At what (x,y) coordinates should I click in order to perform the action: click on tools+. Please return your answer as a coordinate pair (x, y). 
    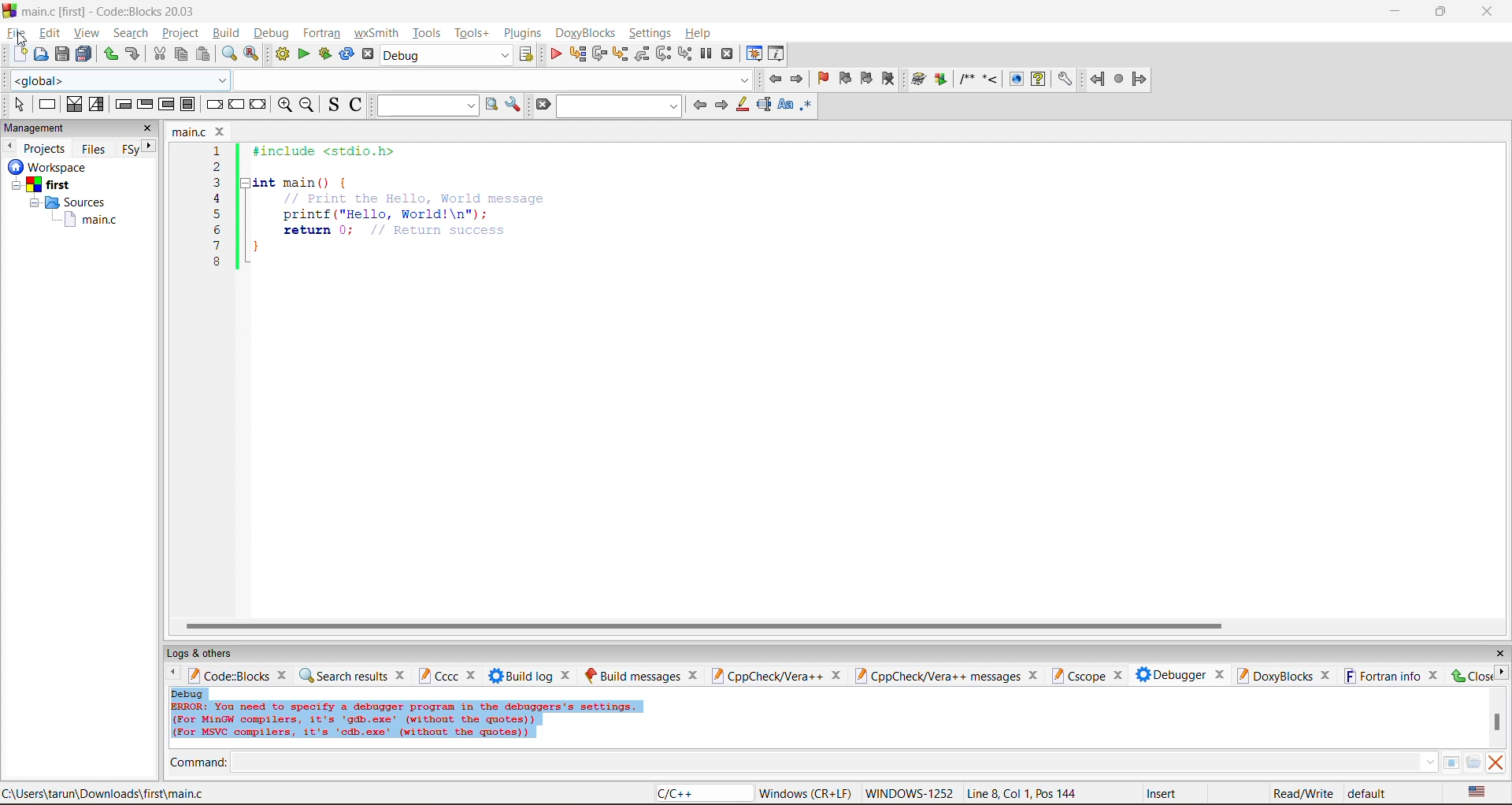
    Looking at the image, I should click on (472, 33).